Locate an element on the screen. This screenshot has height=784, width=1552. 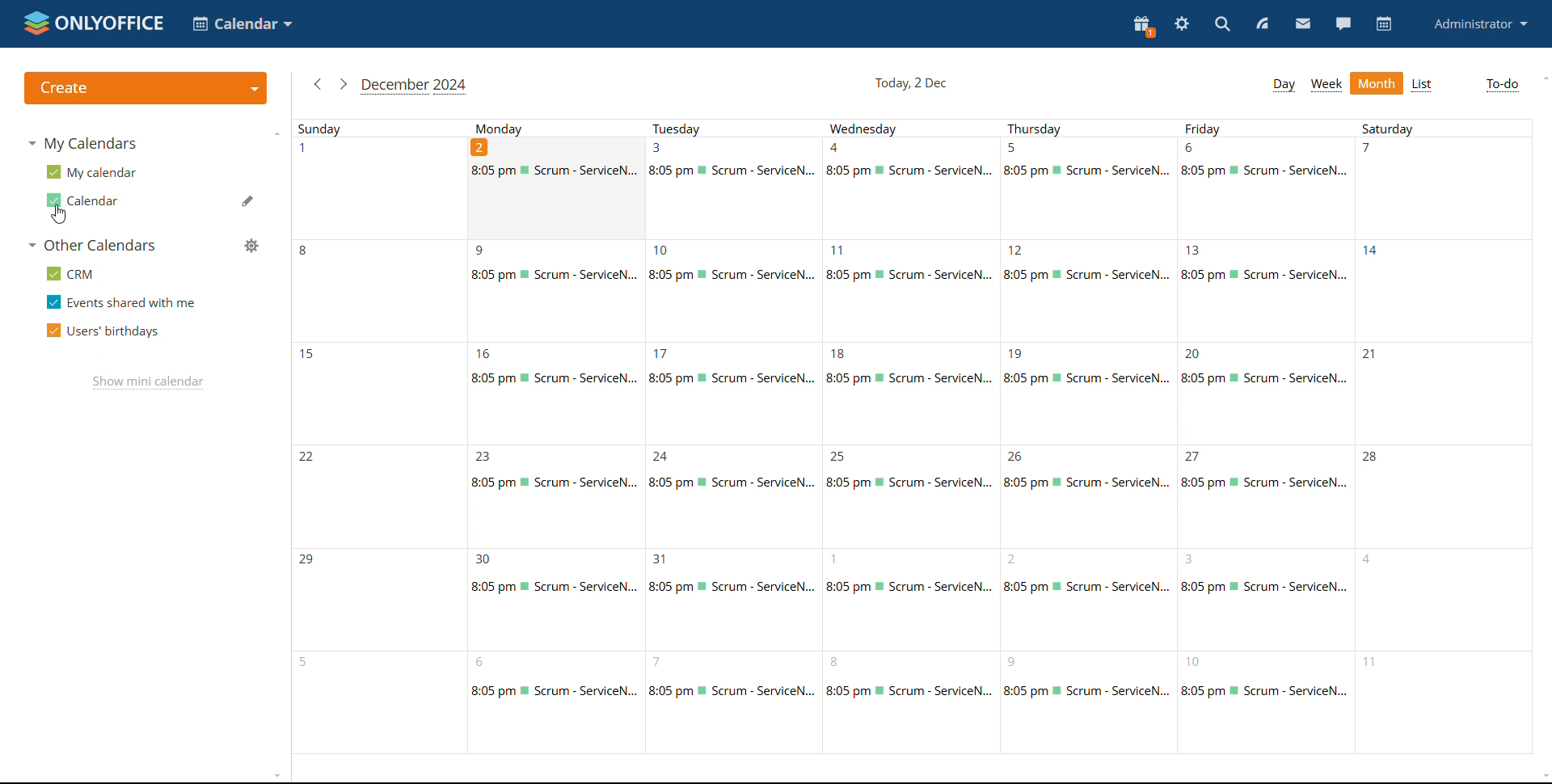
24 is located at coordinates (727, 500).